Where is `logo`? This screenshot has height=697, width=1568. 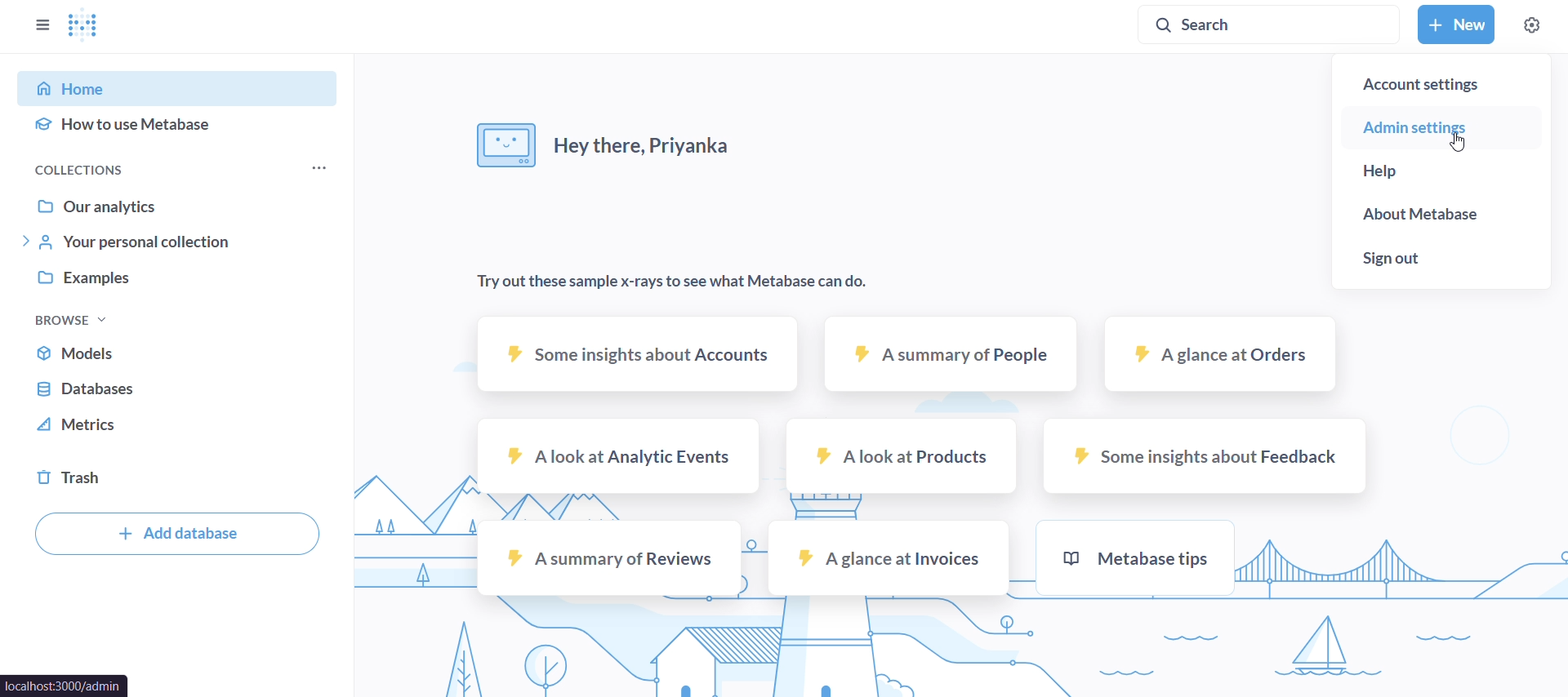 logo is located at coordinates (86, 28).